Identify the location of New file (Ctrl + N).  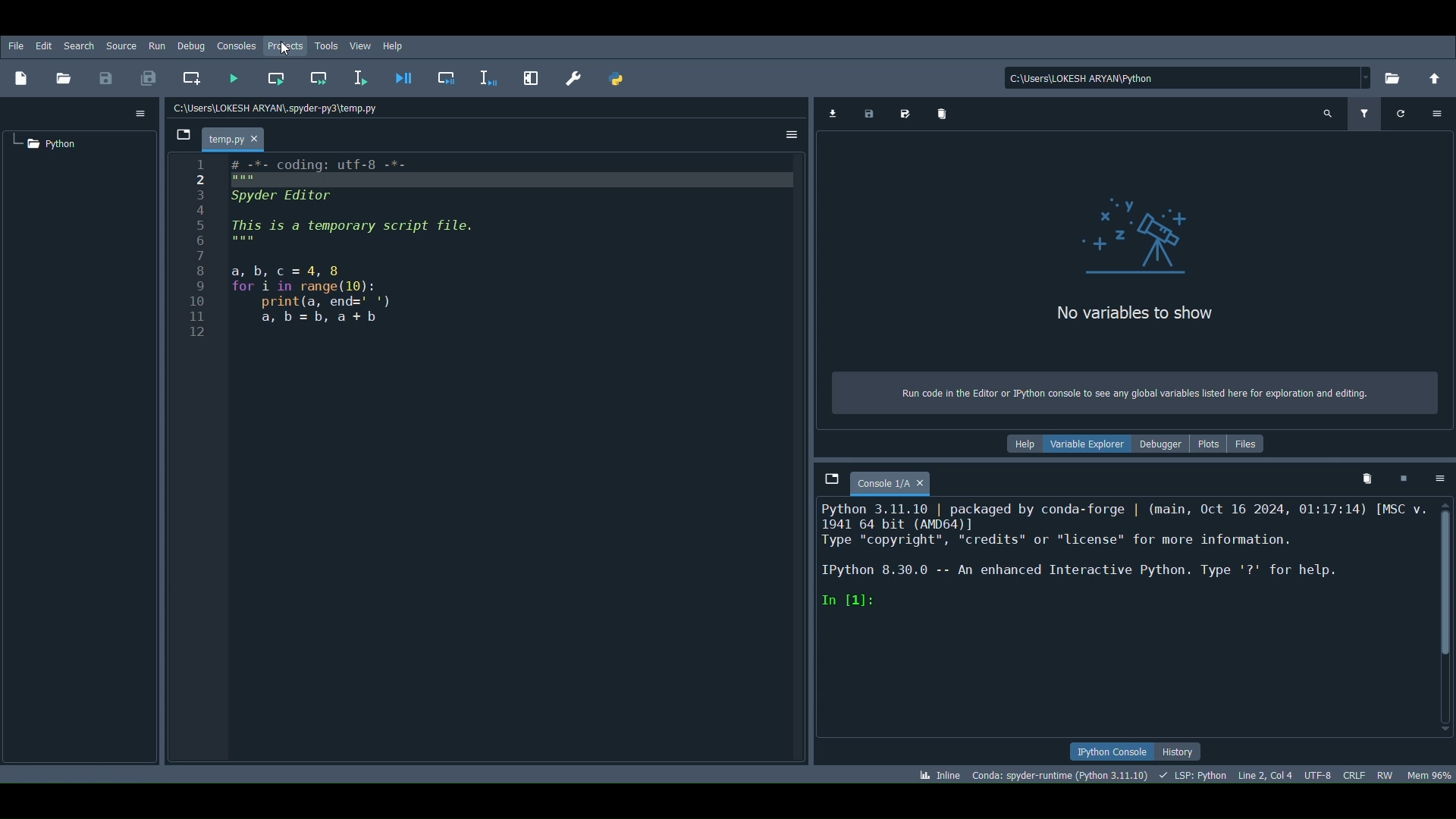
(24, 76).